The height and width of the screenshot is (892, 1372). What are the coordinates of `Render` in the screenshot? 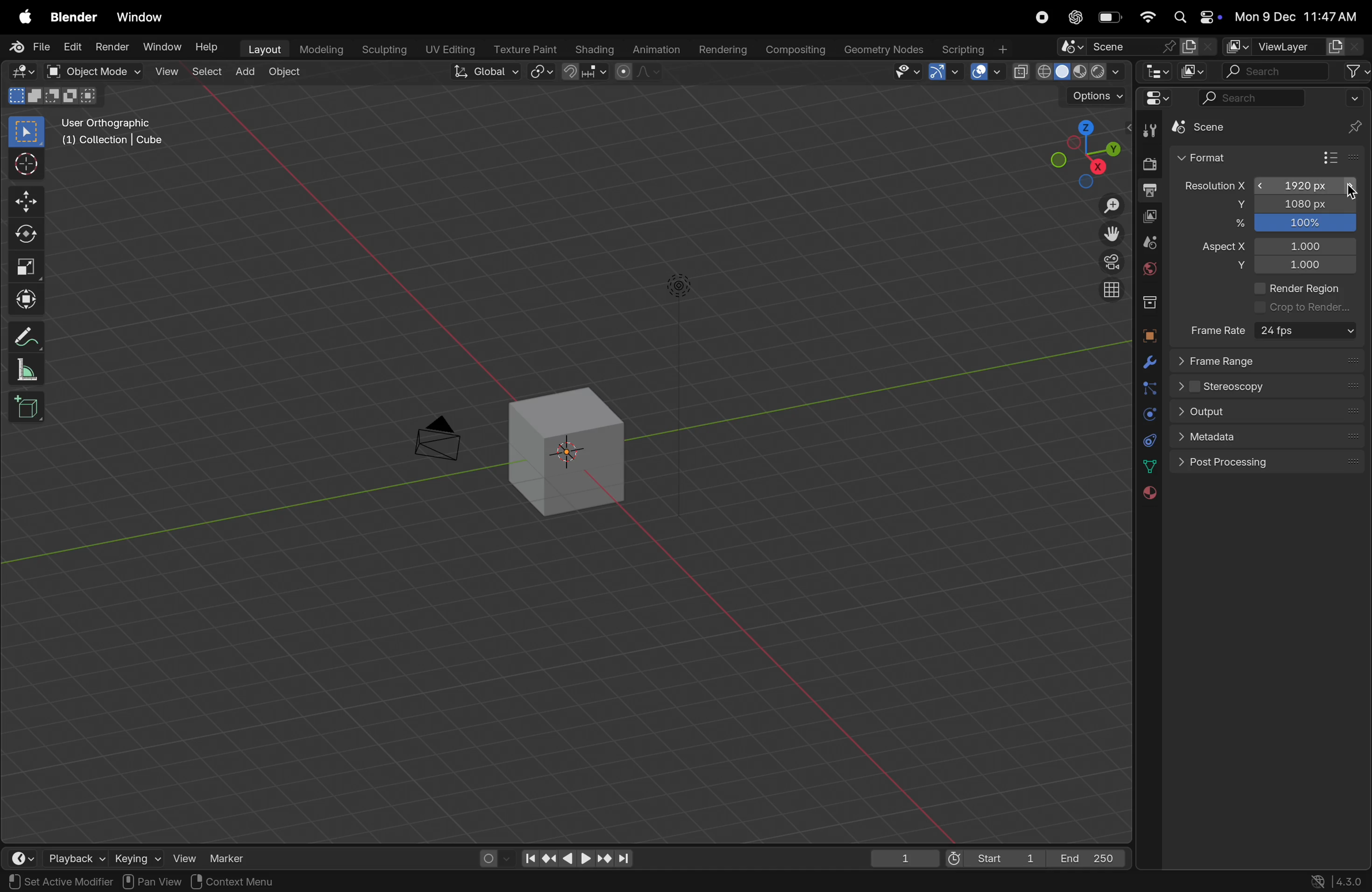 It's located at (114, 46).